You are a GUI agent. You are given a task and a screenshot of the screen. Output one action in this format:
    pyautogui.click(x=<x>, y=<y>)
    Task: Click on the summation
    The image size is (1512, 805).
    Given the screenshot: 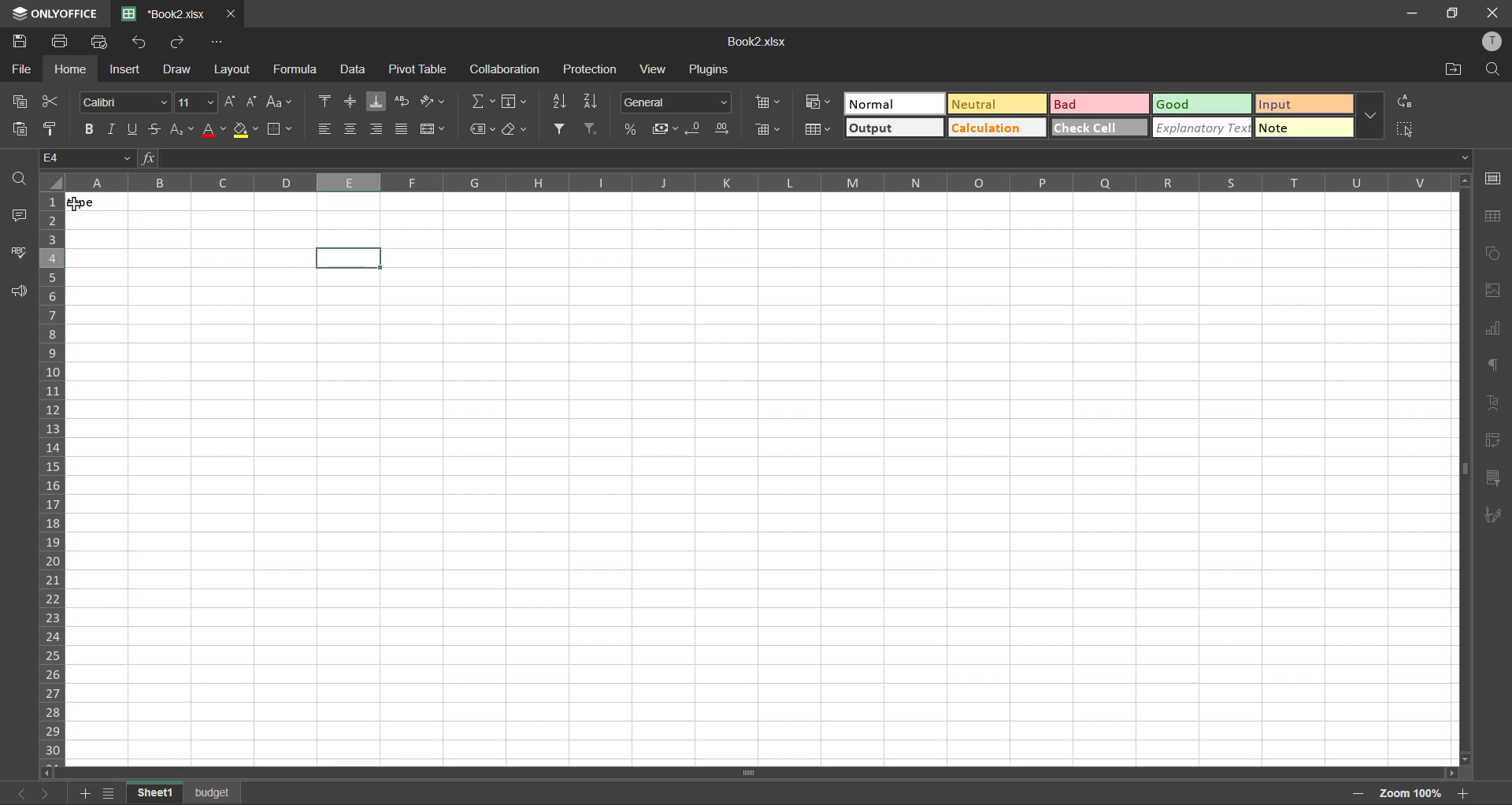 What is the action you would take?
    pyautogui.click(x=481, y=98)
    